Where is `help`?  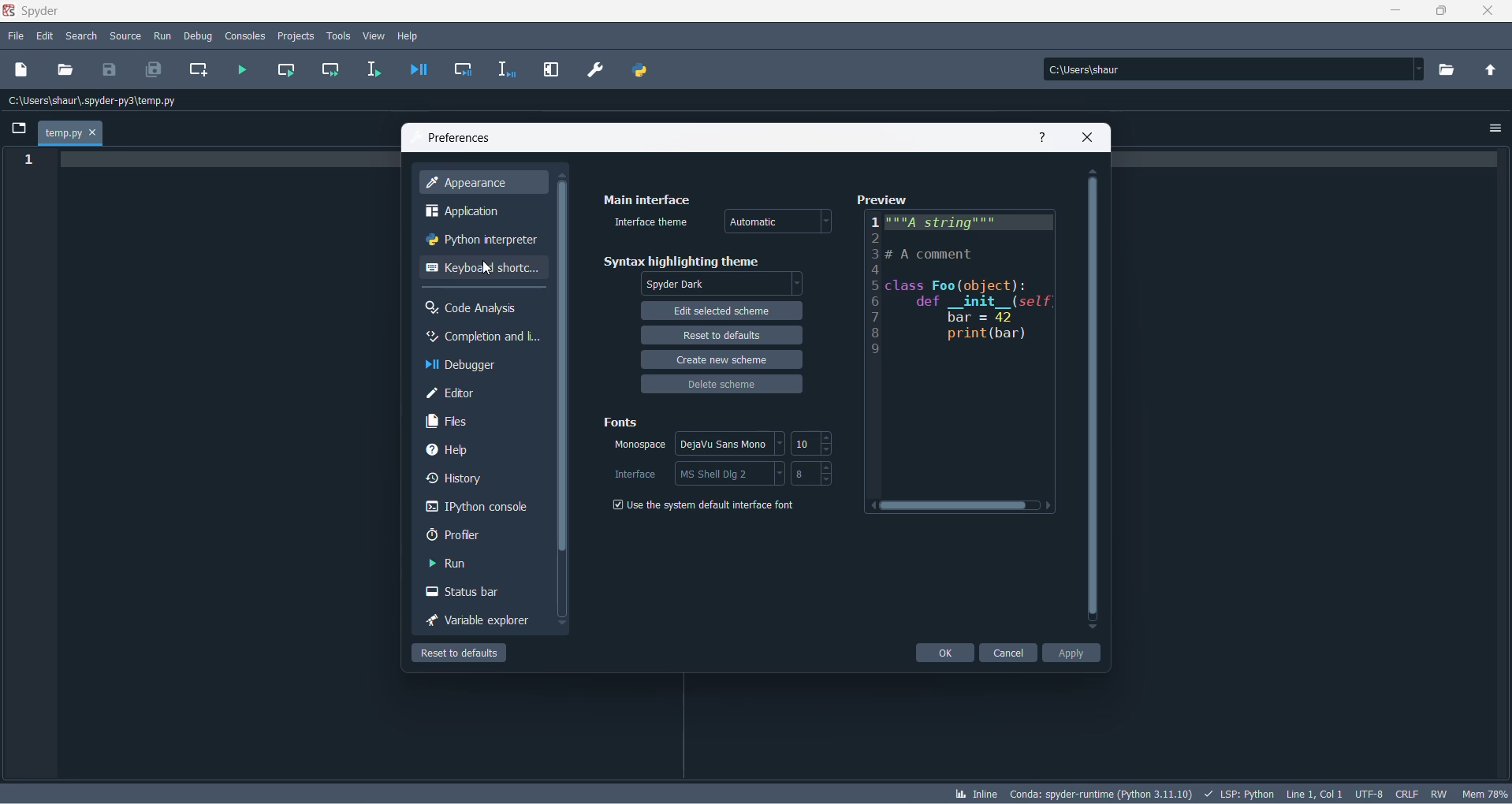 help is located at coordinates (412, 35).